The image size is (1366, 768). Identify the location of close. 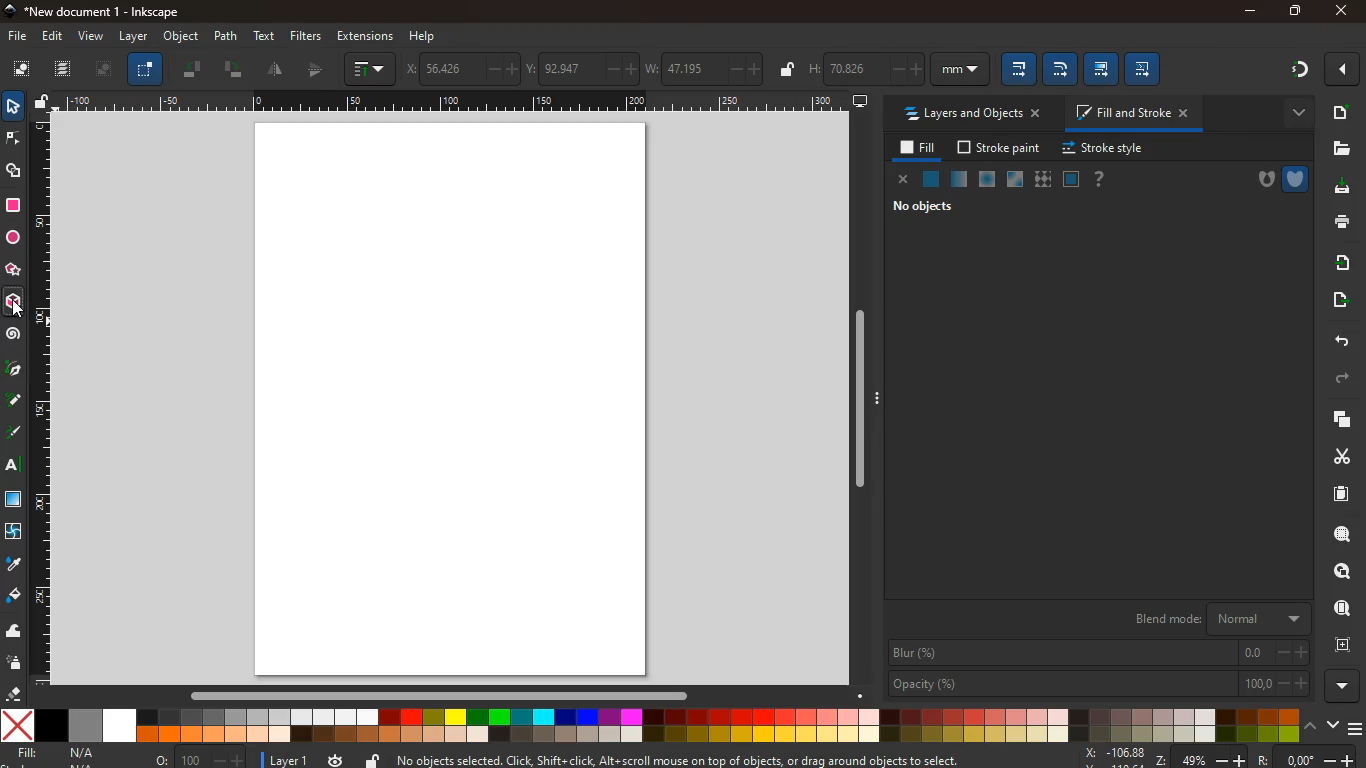
(1339, 12).